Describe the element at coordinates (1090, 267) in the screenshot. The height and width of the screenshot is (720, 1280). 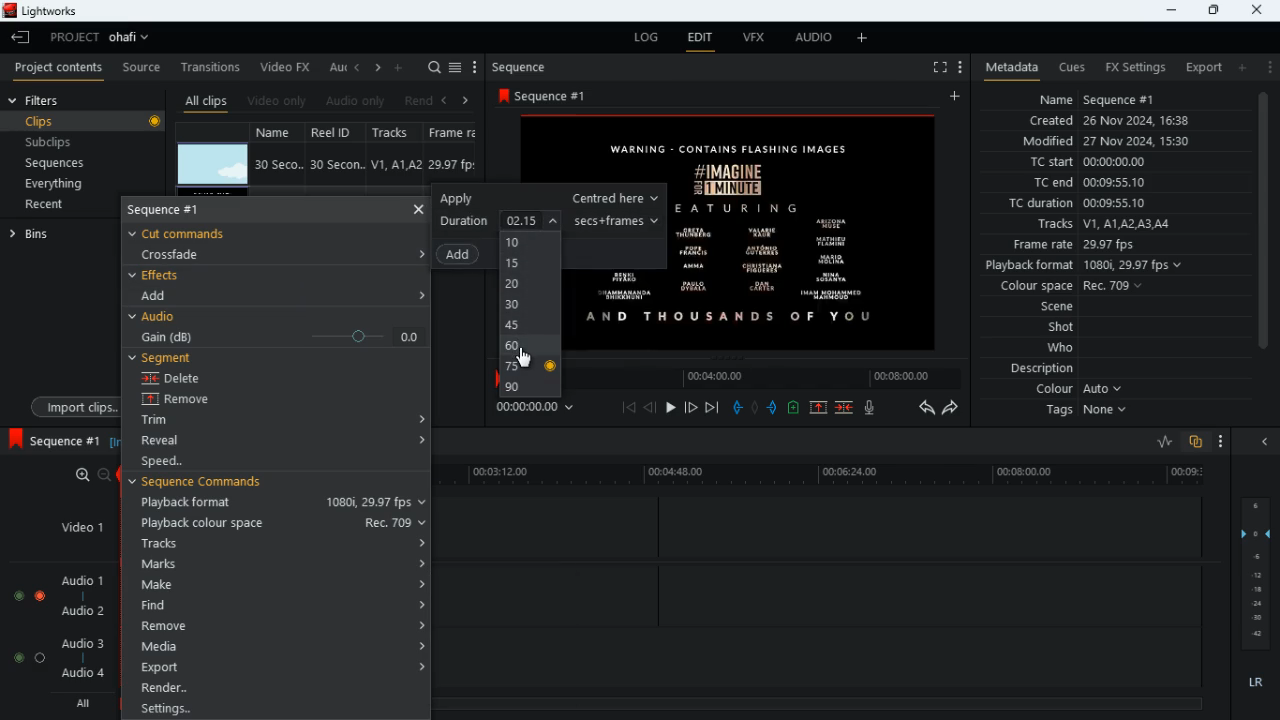
I see `playback format` at that location.